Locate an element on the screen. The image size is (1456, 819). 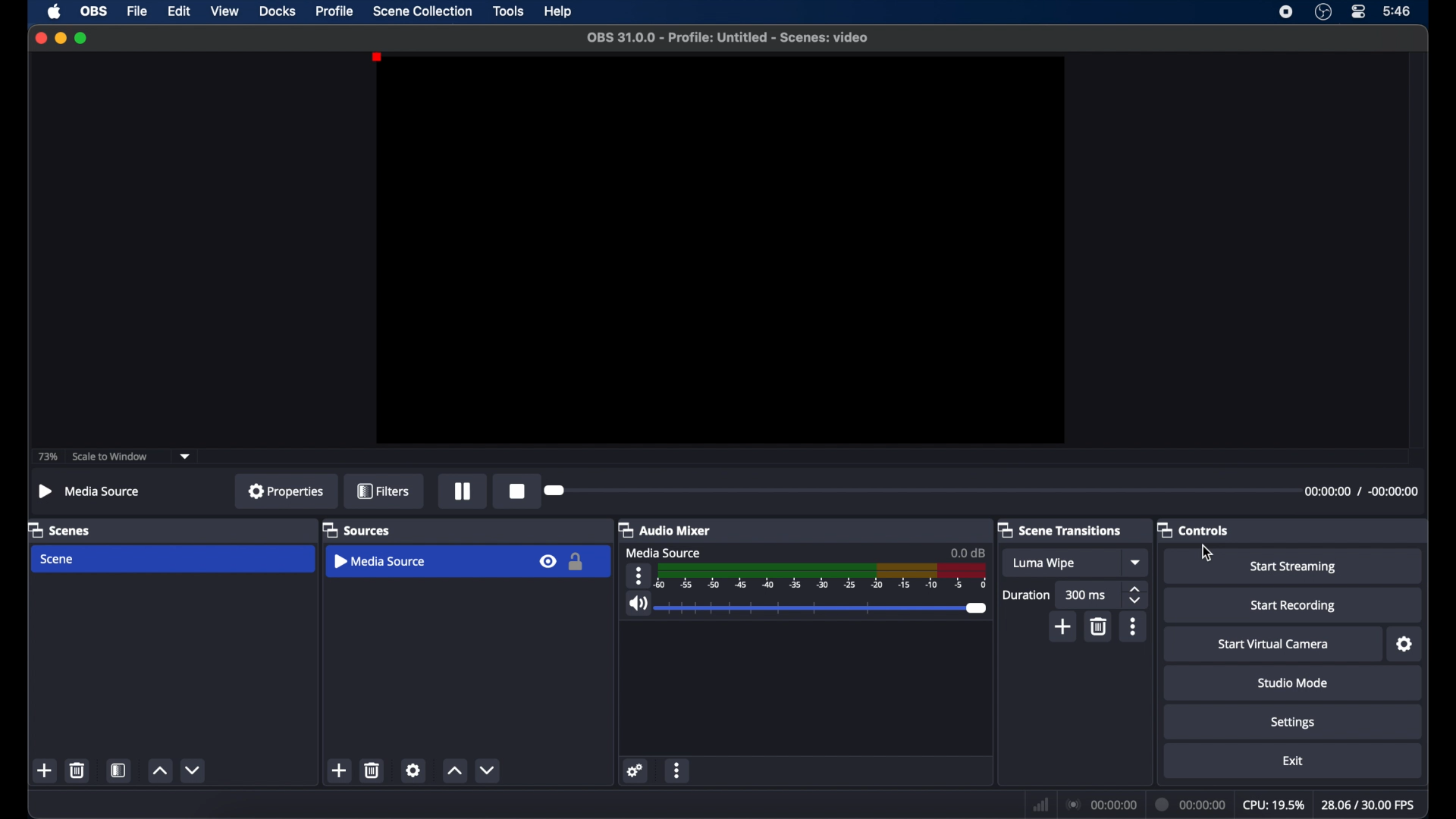
settings is located at coordinates (414, 770).